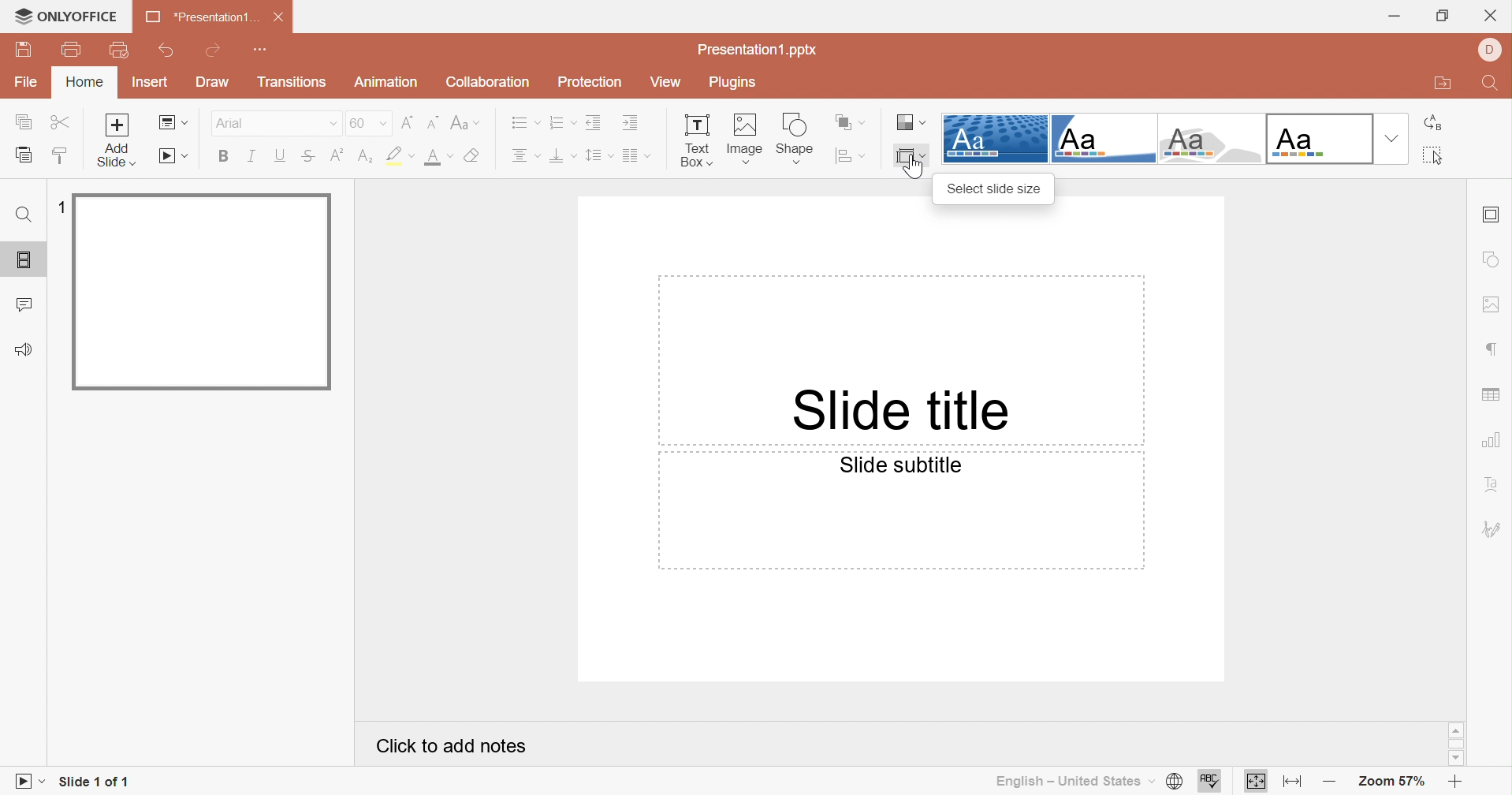 The height and width of the screenshot is (795, 1512). I want to click on Select slide size, so click(909, 157).